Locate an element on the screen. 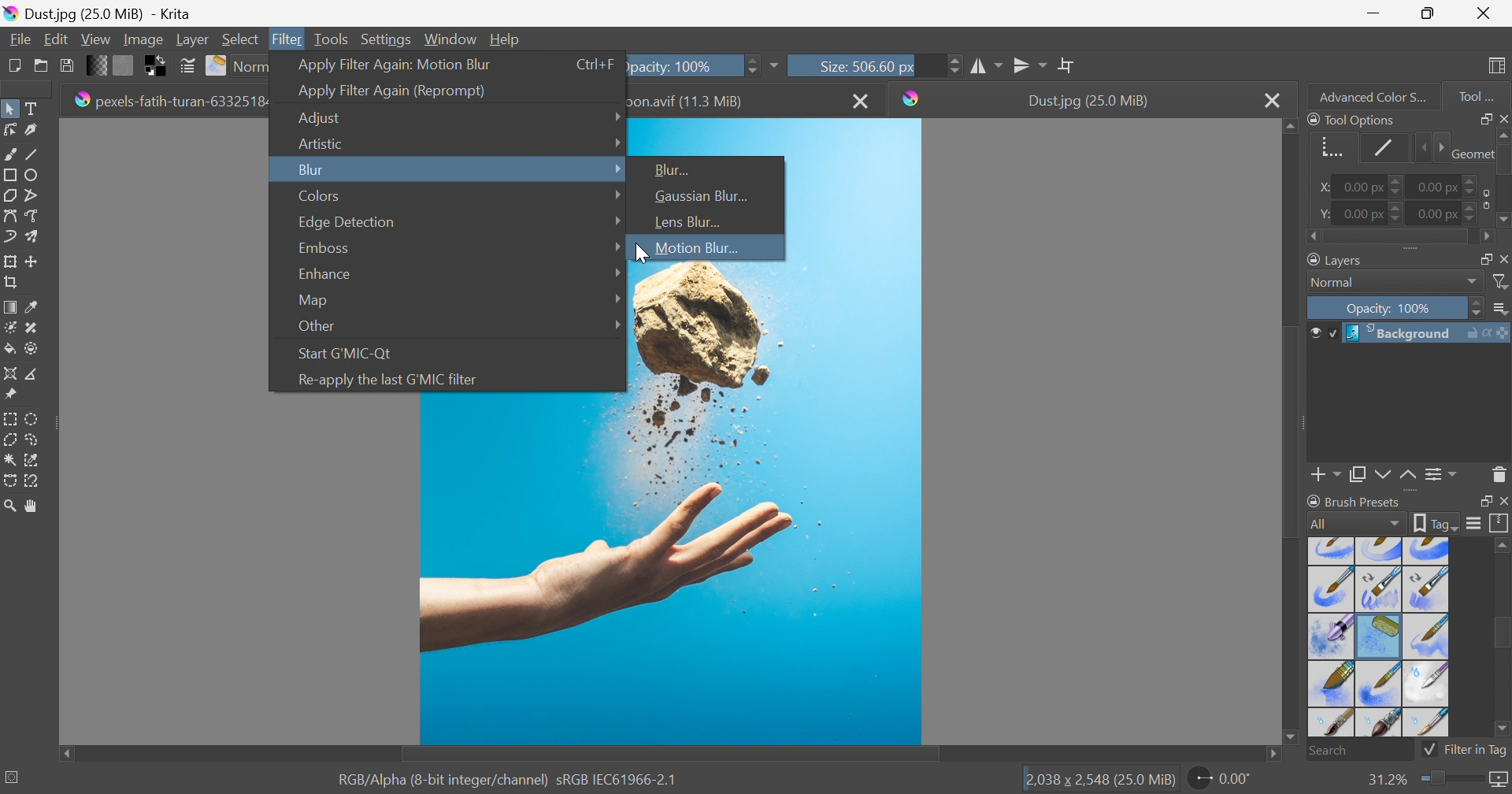  Blur... is located at coordinates (675, 169).